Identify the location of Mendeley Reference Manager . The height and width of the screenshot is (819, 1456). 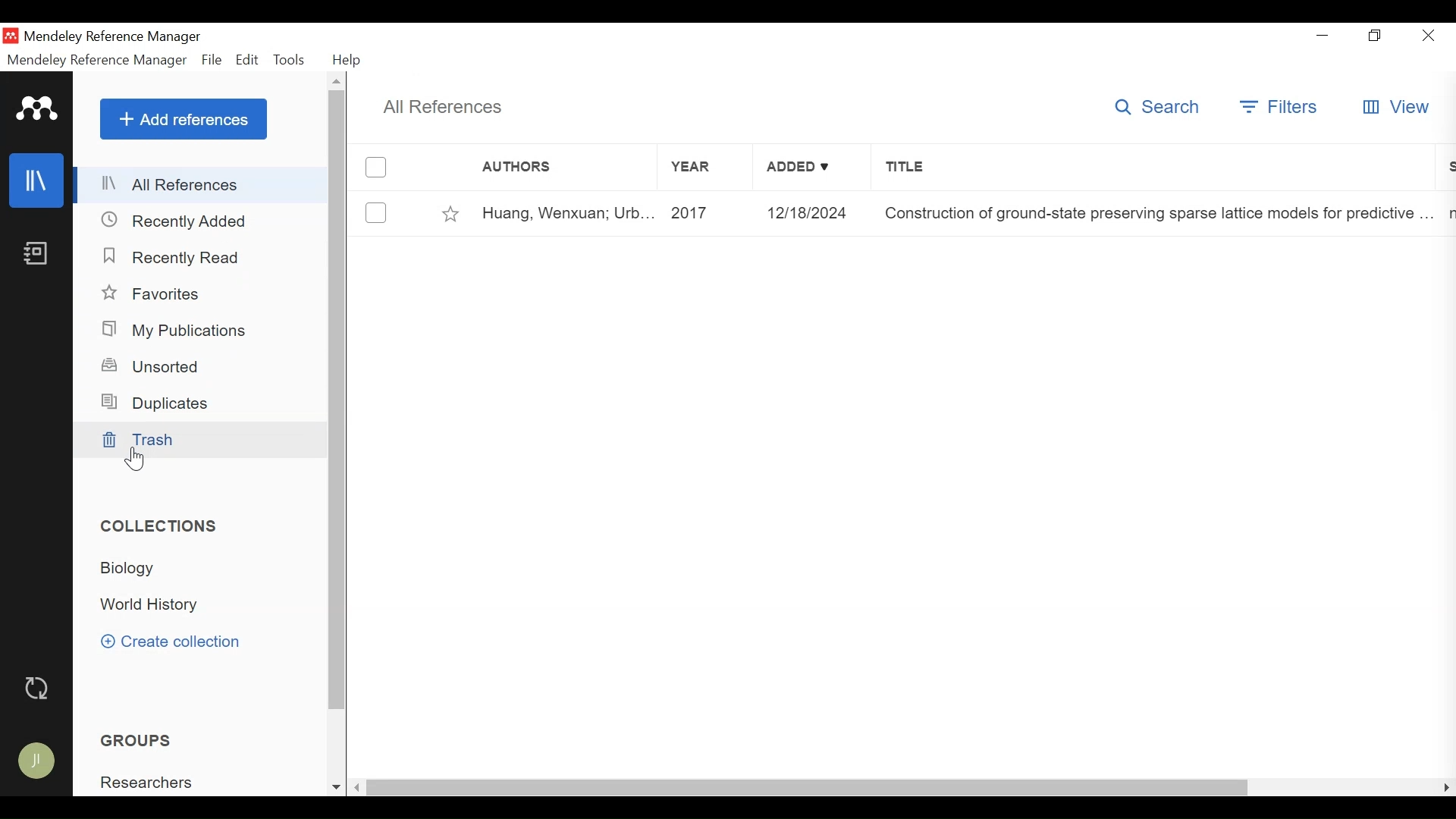
(95, 60).